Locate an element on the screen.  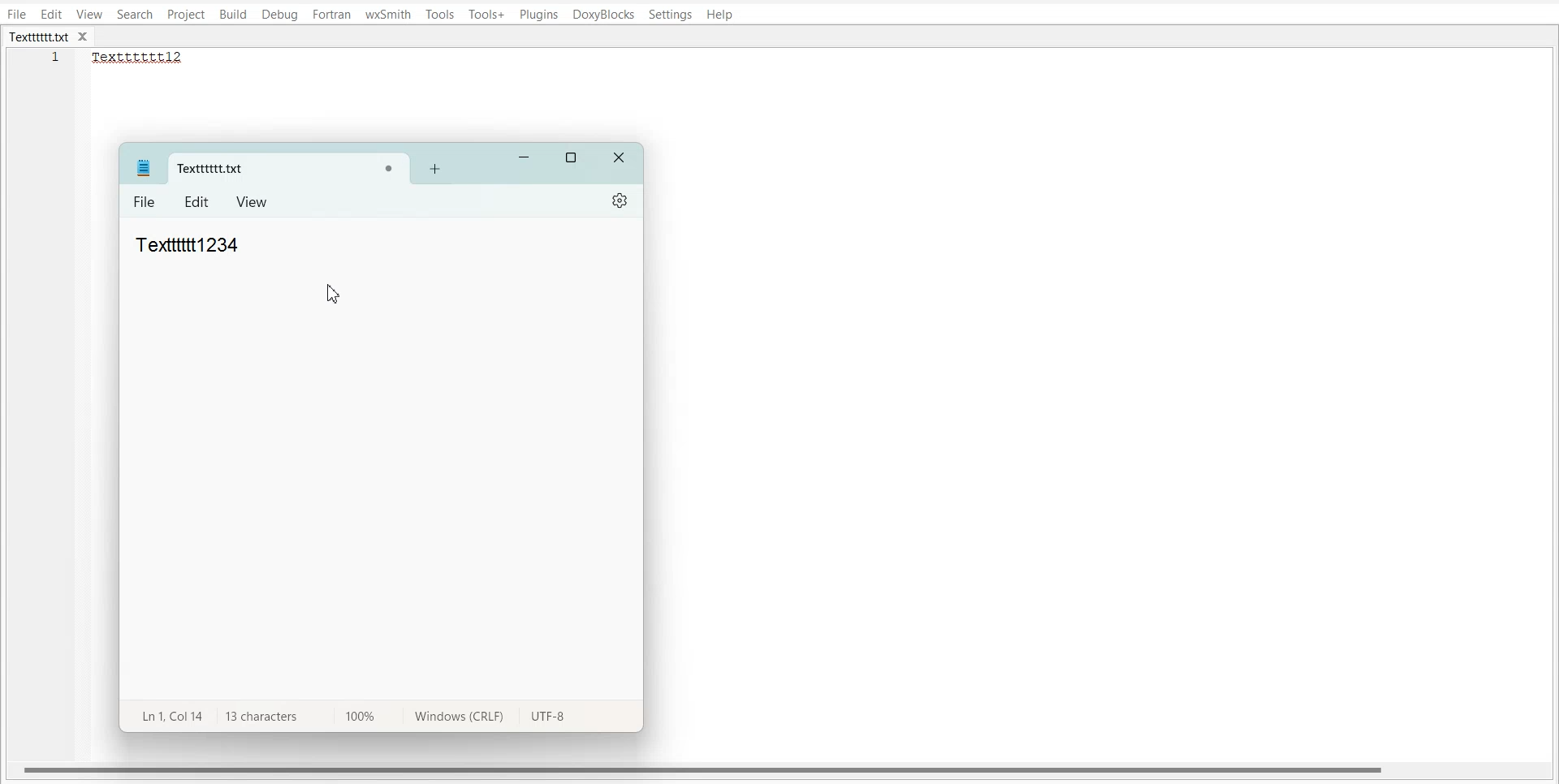
File is located at coordinates (145, 203).